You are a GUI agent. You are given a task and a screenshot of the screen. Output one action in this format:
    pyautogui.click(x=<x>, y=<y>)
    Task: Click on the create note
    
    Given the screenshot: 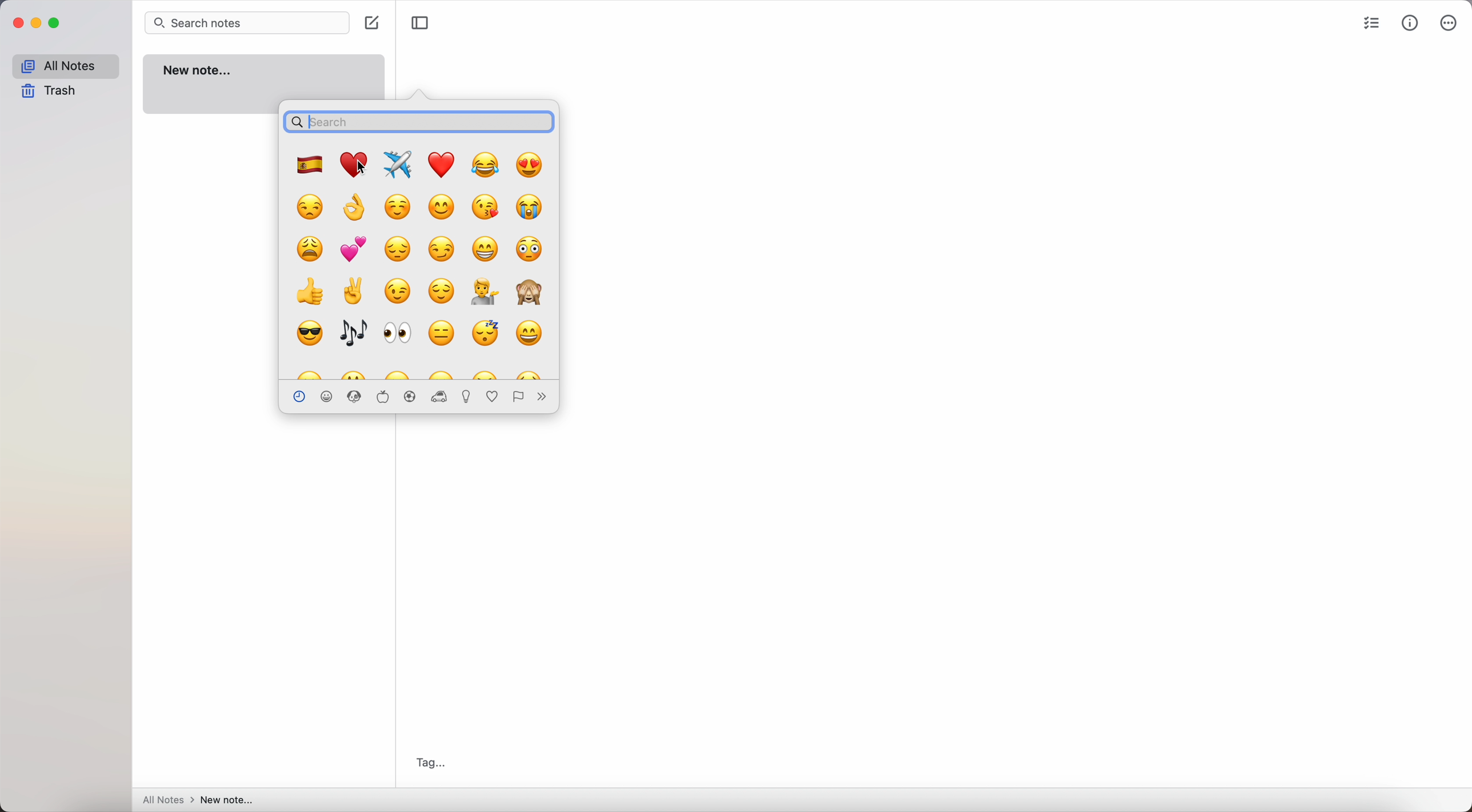 What is the action you would take?
    pyautogui.click(x=372, y=23)
    